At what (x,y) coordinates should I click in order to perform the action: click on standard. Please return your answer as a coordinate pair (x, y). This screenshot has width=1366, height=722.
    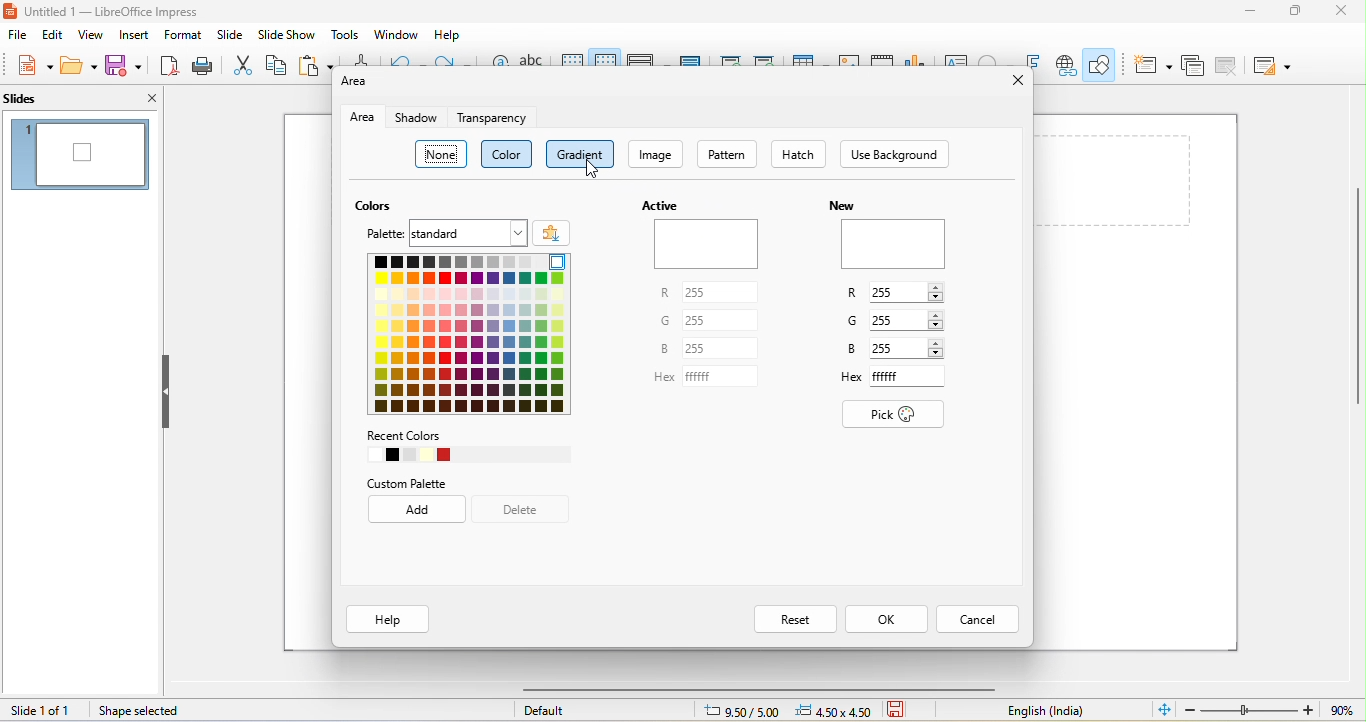
    Looking at the image, I should click on (469, 233).